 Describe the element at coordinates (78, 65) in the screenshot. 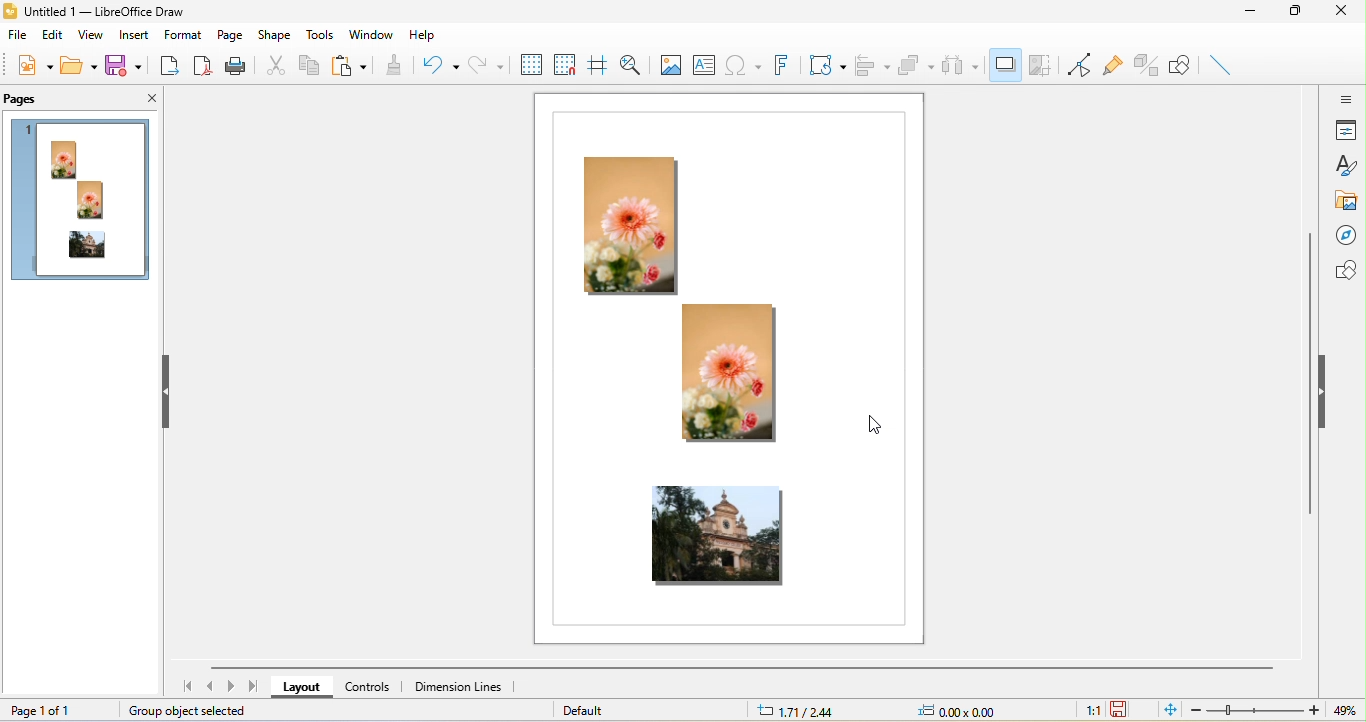

I see `open` at that location.